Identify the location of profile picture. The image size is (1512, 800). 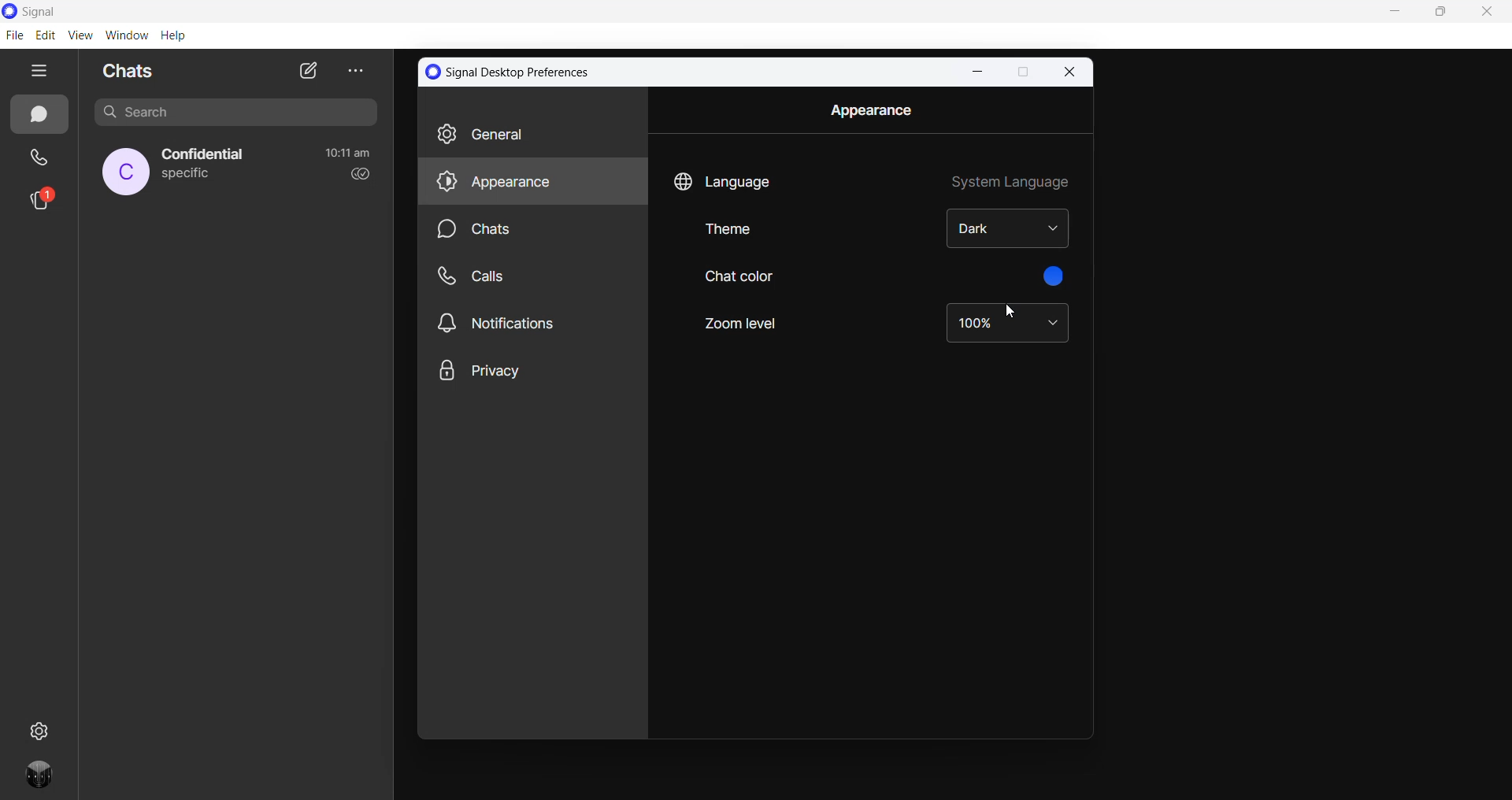
(43, 780).